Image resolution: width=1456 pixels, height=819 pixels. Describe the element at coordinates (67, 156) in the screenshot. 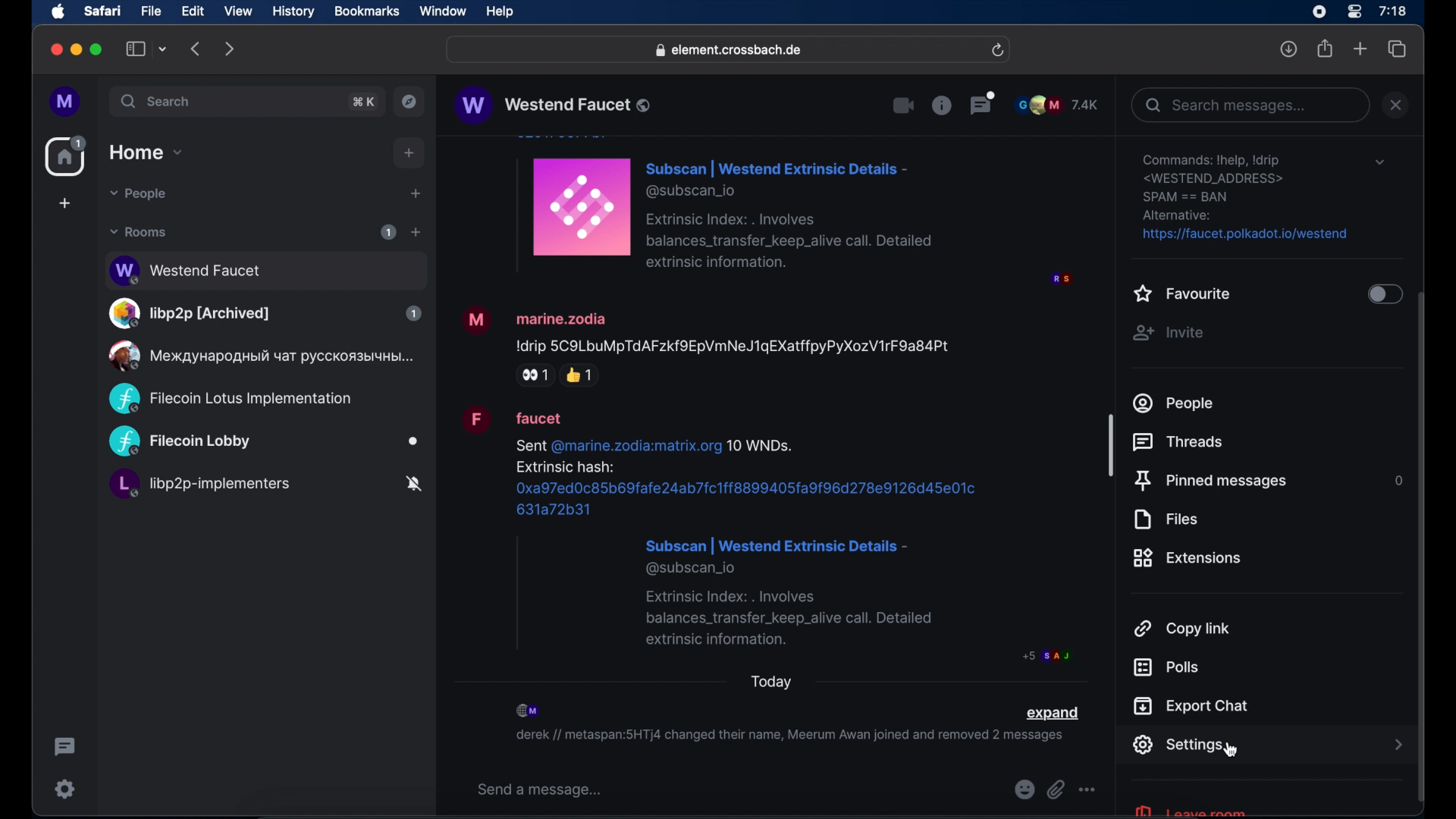

I see `home` at that location.